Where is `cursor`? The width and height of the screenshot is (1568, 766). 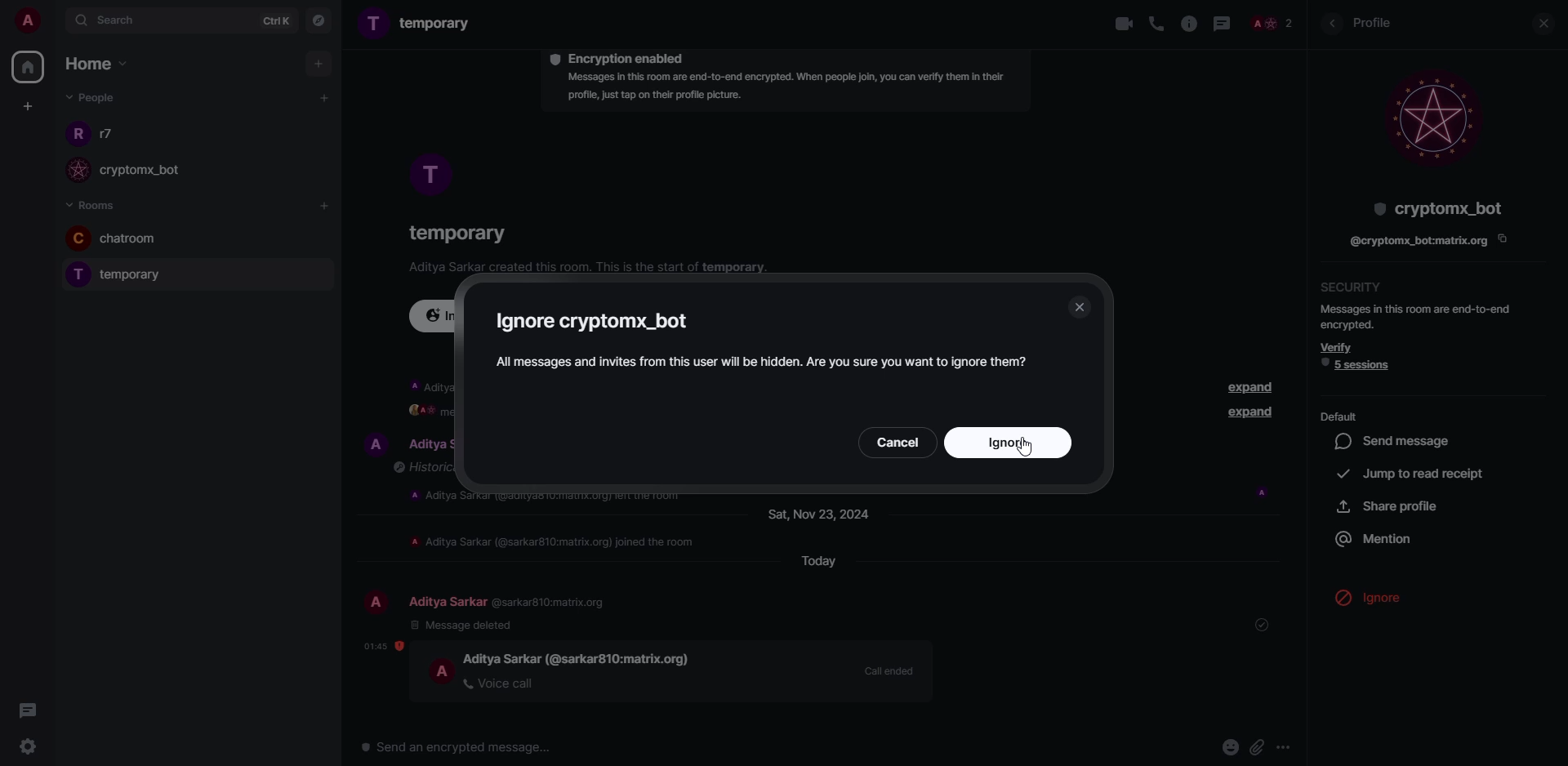 cursor is located at coordinates (1030, 447).